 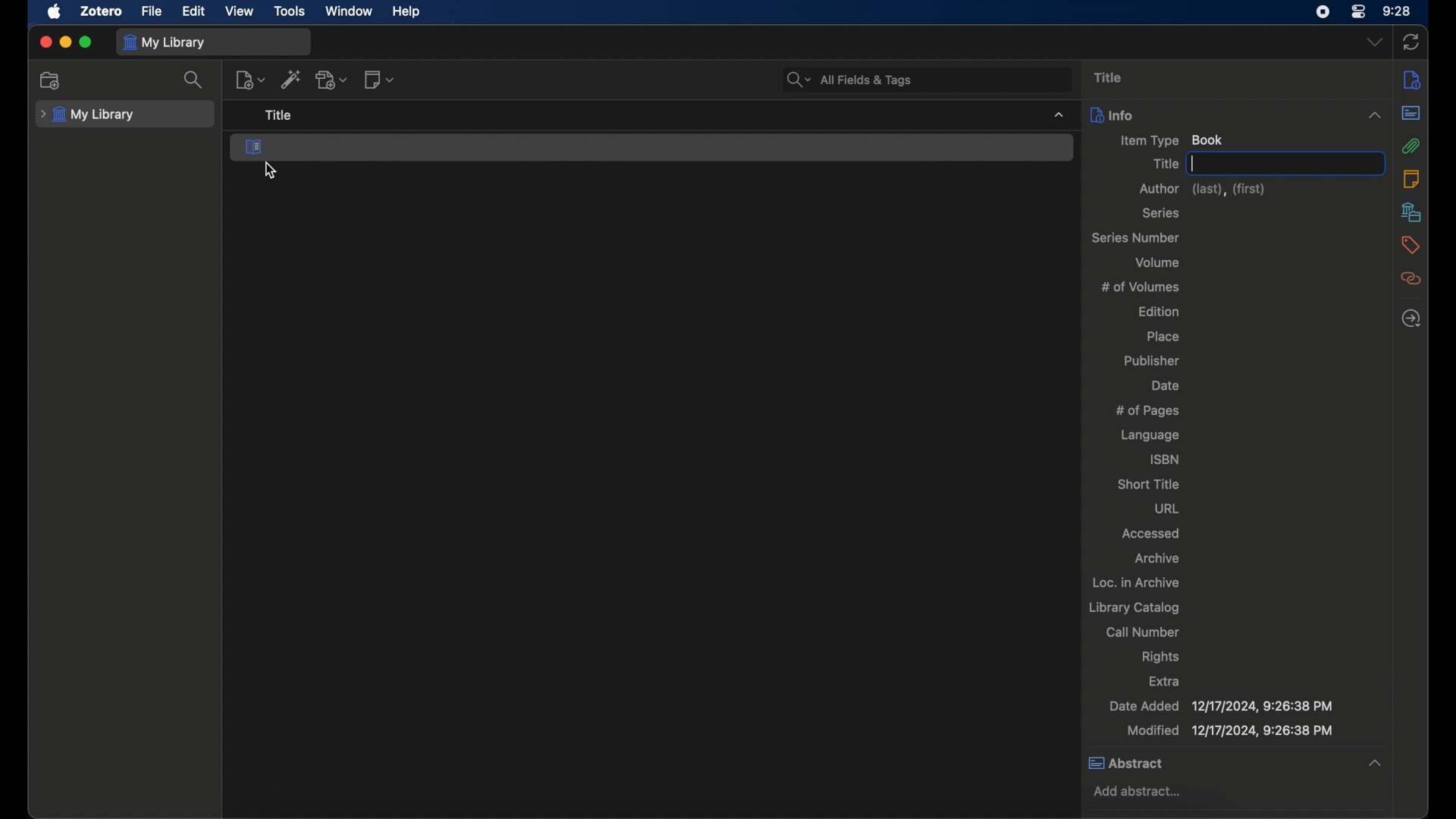 I want to click on book section, so click(x=255, y=146).